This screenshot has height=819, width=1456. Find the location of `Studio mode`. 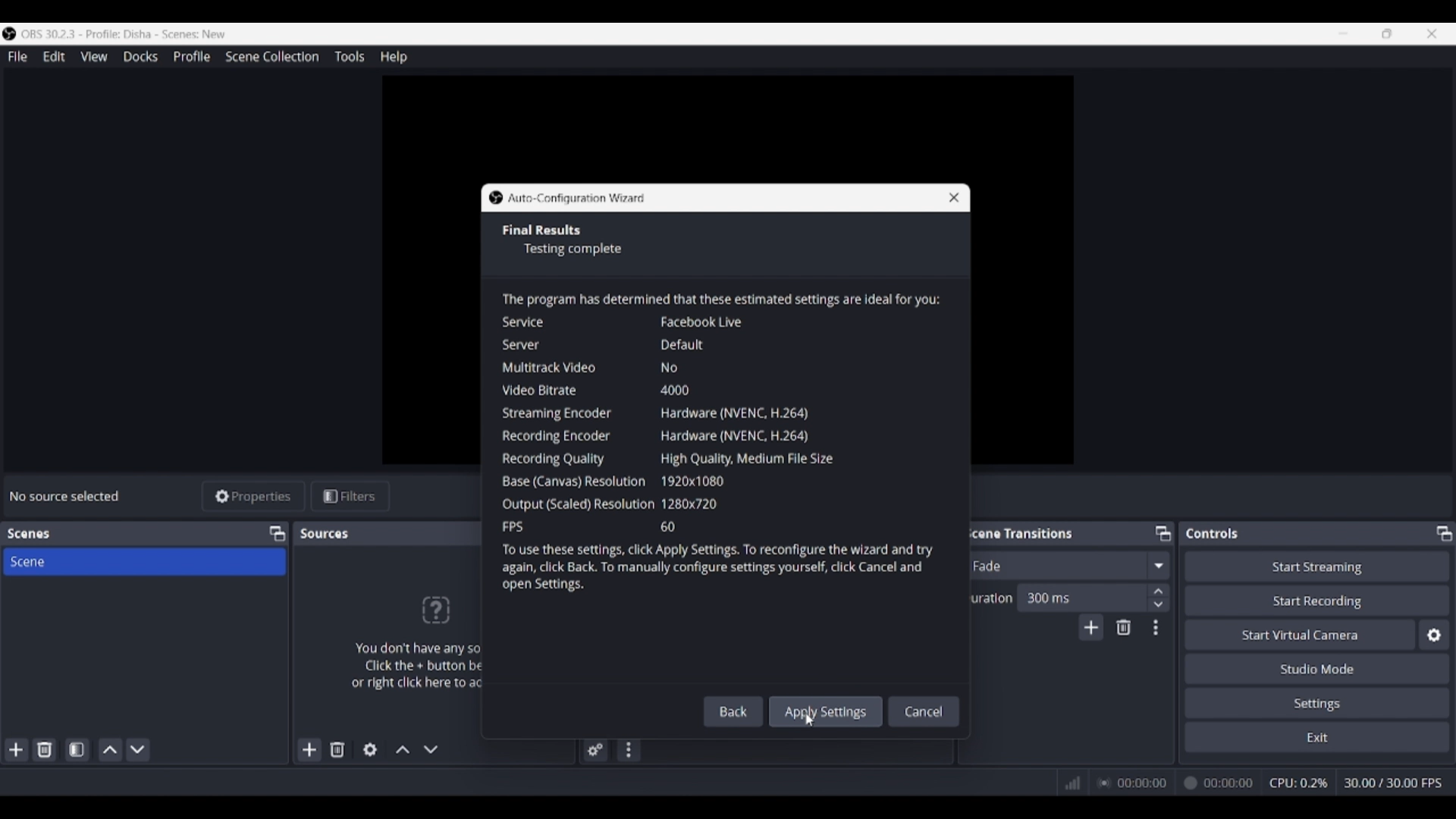

Studio mode is located at coordinates (1317, 668).